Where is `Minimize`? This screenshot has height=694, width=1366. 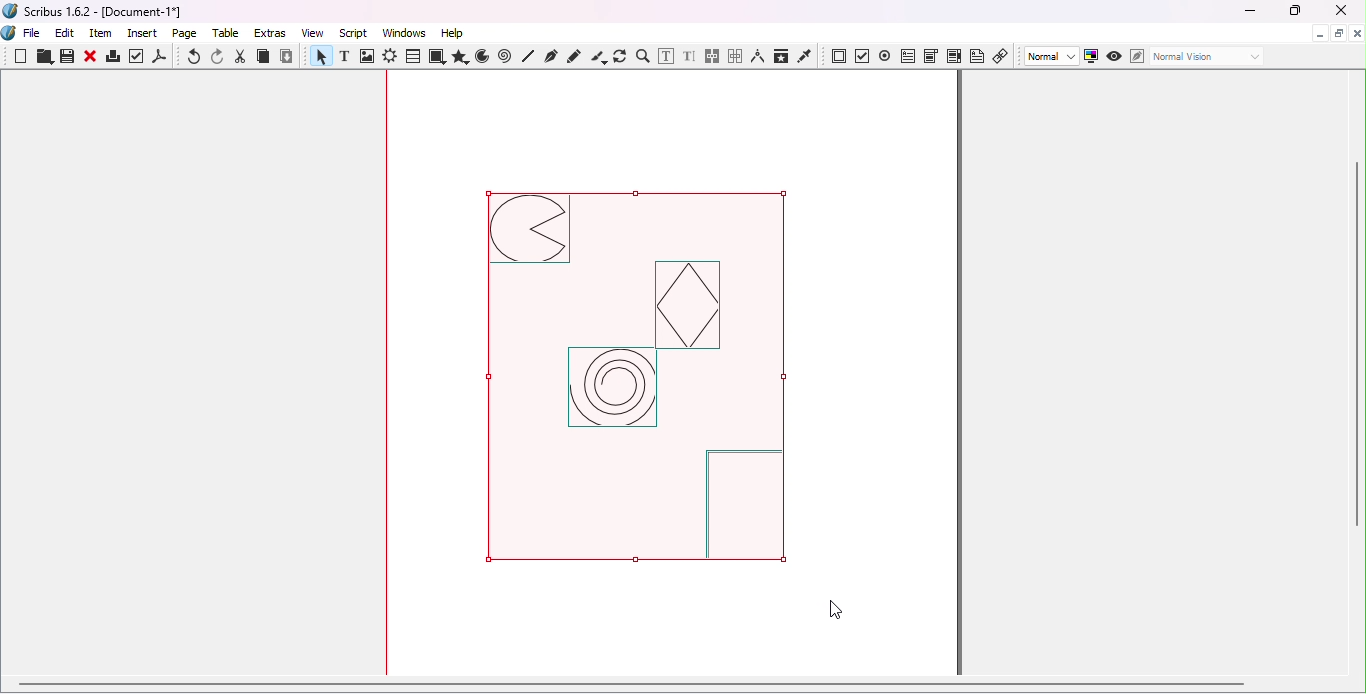 Minimize is located at coordinates (1249, 12).